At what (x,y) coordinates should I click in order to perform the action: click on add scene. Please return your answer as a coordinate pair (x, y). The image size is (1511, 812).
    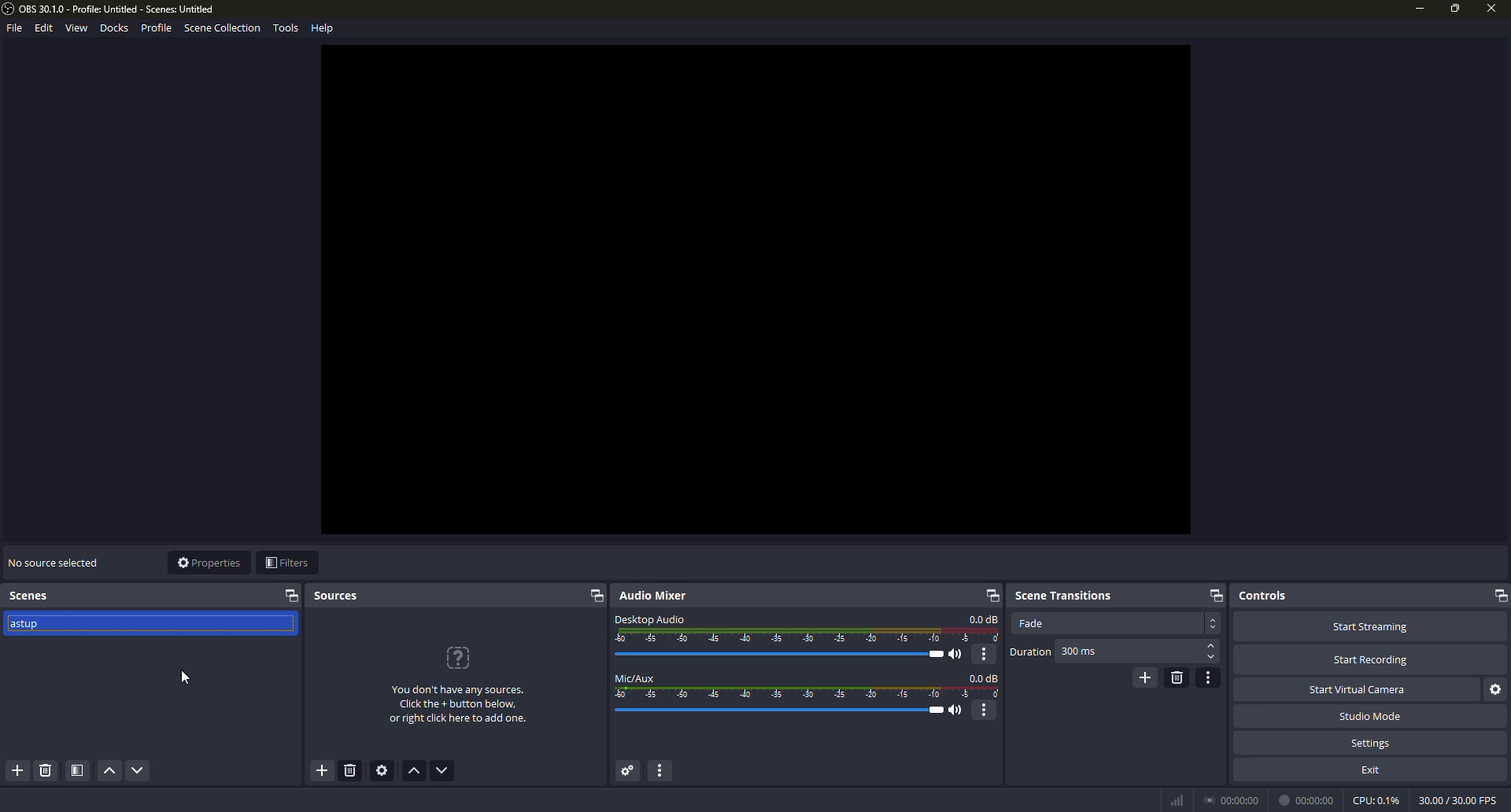
    Looking at the image, I should click on (19, 771).